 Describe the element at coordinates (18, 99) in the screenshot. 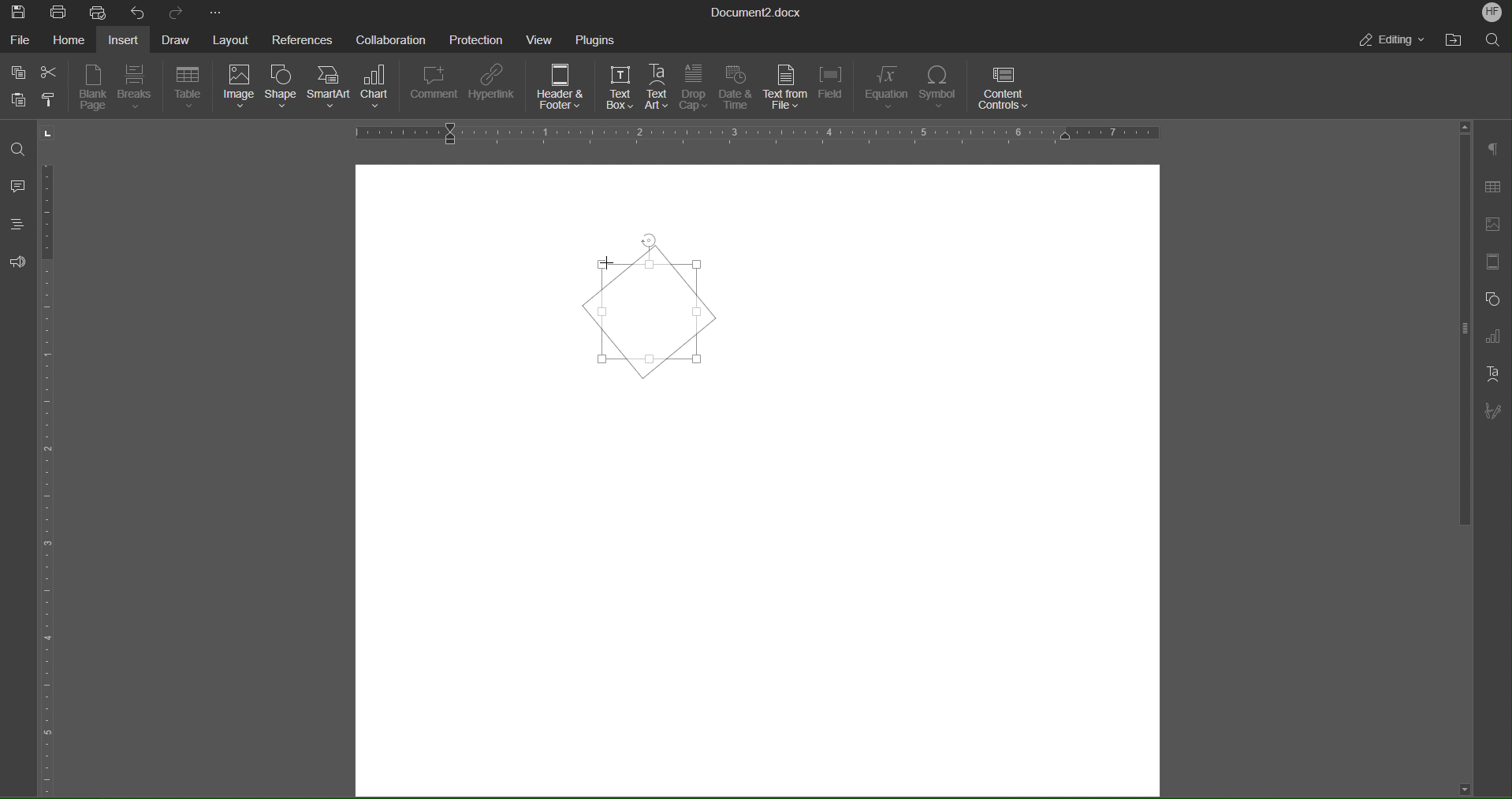

I see `Paste` at that location.